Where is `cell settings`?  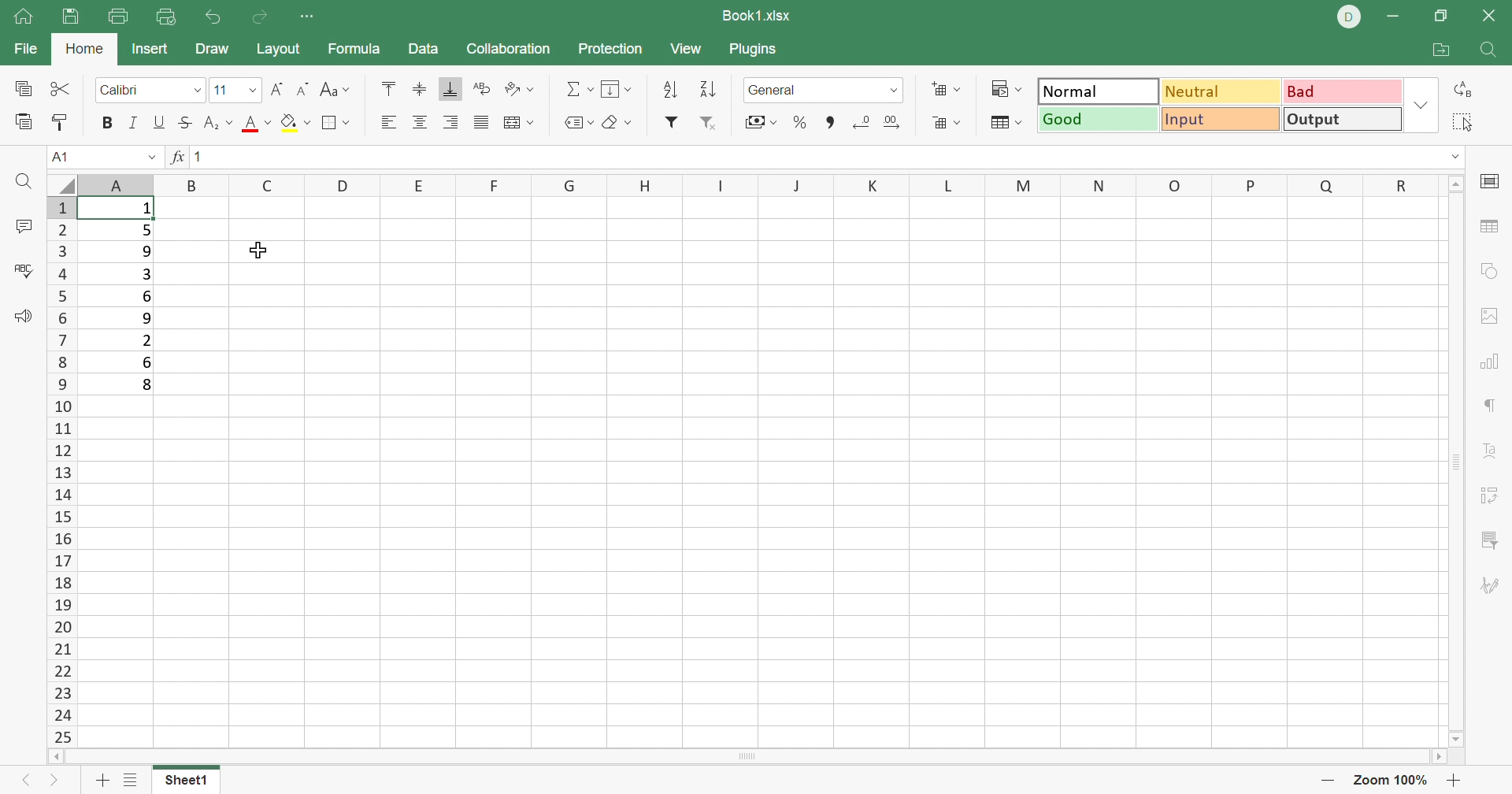
cell settings is located at coordinates (1492, 183).